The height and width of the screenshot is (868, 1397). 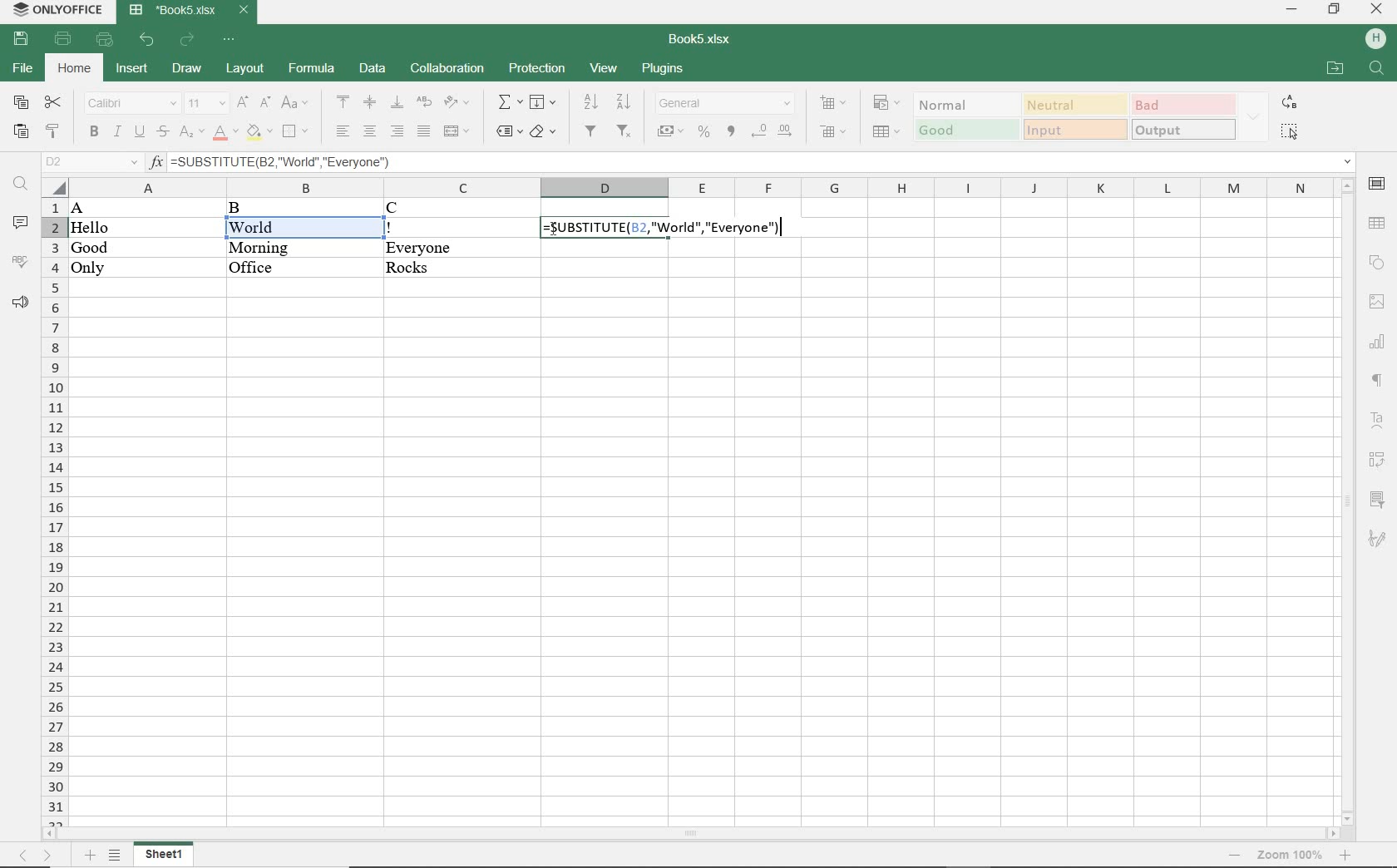 What do you see at coordinates (340, 130) in the screenshot?
I see `align left` at bounding box center [340, 130].